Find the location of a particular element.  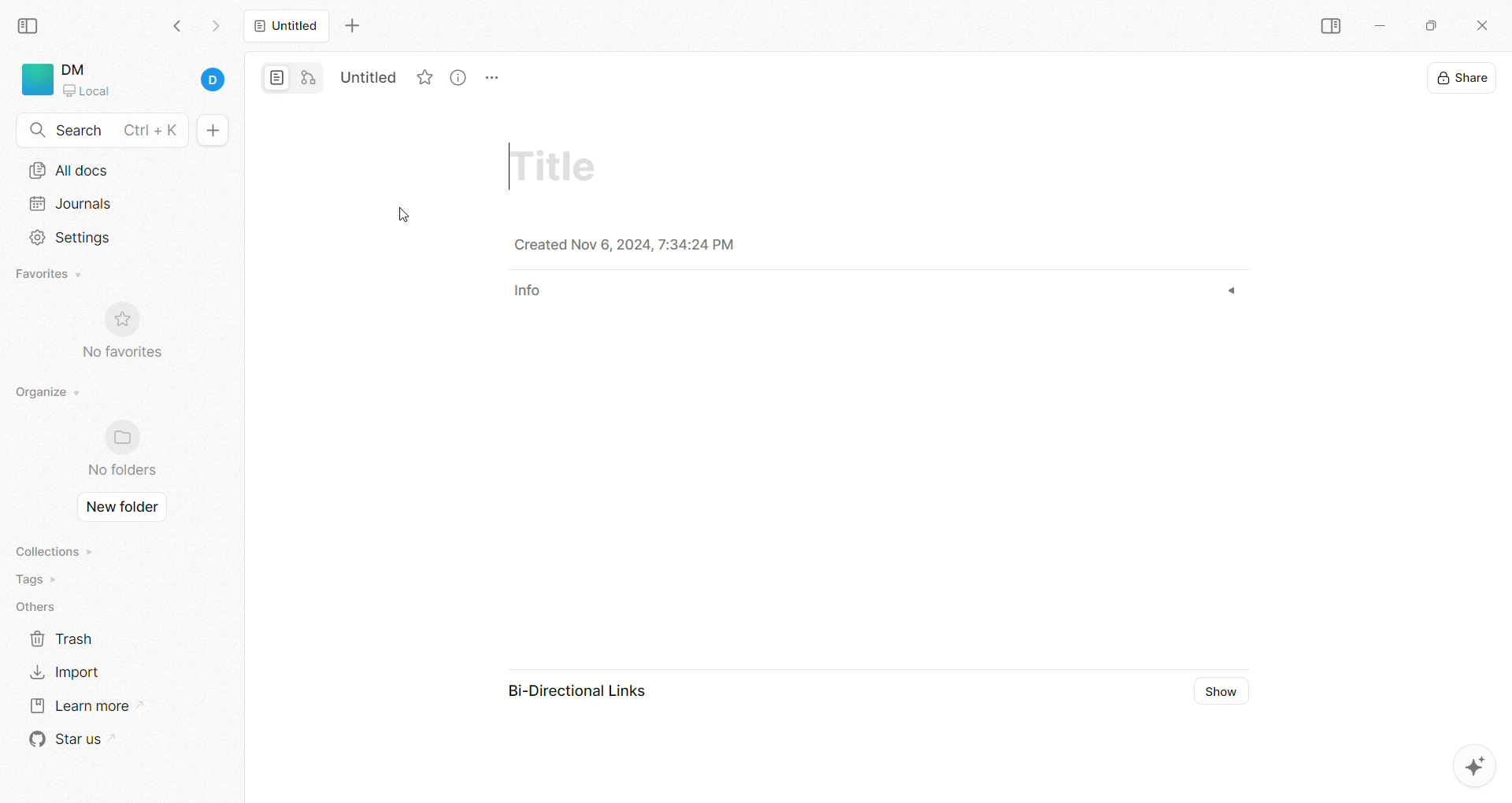

share is located at coordinates (1464, 76).